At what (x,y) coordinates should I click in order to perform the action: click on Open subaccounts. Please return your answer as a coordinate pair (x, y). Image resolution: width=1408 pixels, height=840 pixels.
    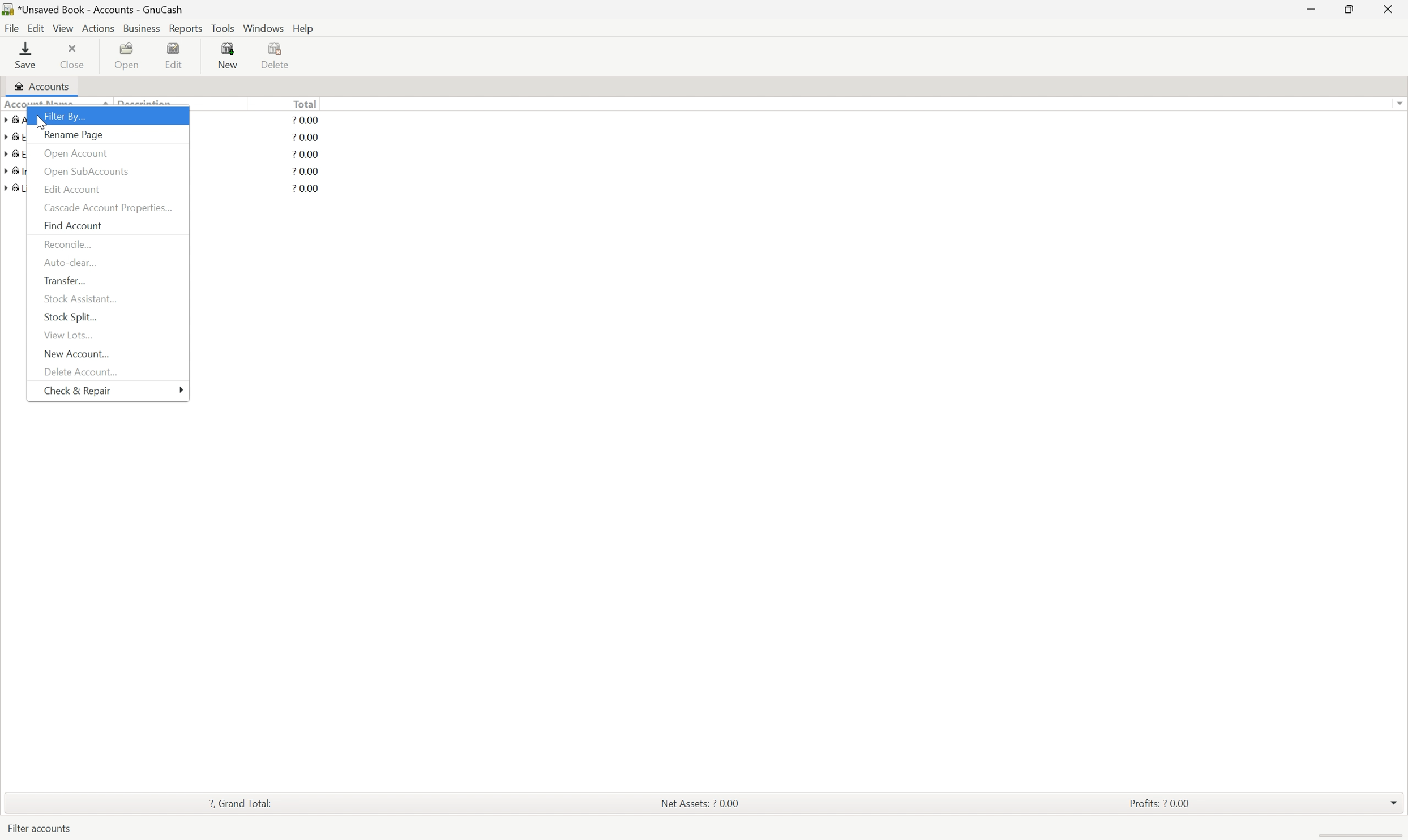
    Looking at the image, I should click on (89, 172).